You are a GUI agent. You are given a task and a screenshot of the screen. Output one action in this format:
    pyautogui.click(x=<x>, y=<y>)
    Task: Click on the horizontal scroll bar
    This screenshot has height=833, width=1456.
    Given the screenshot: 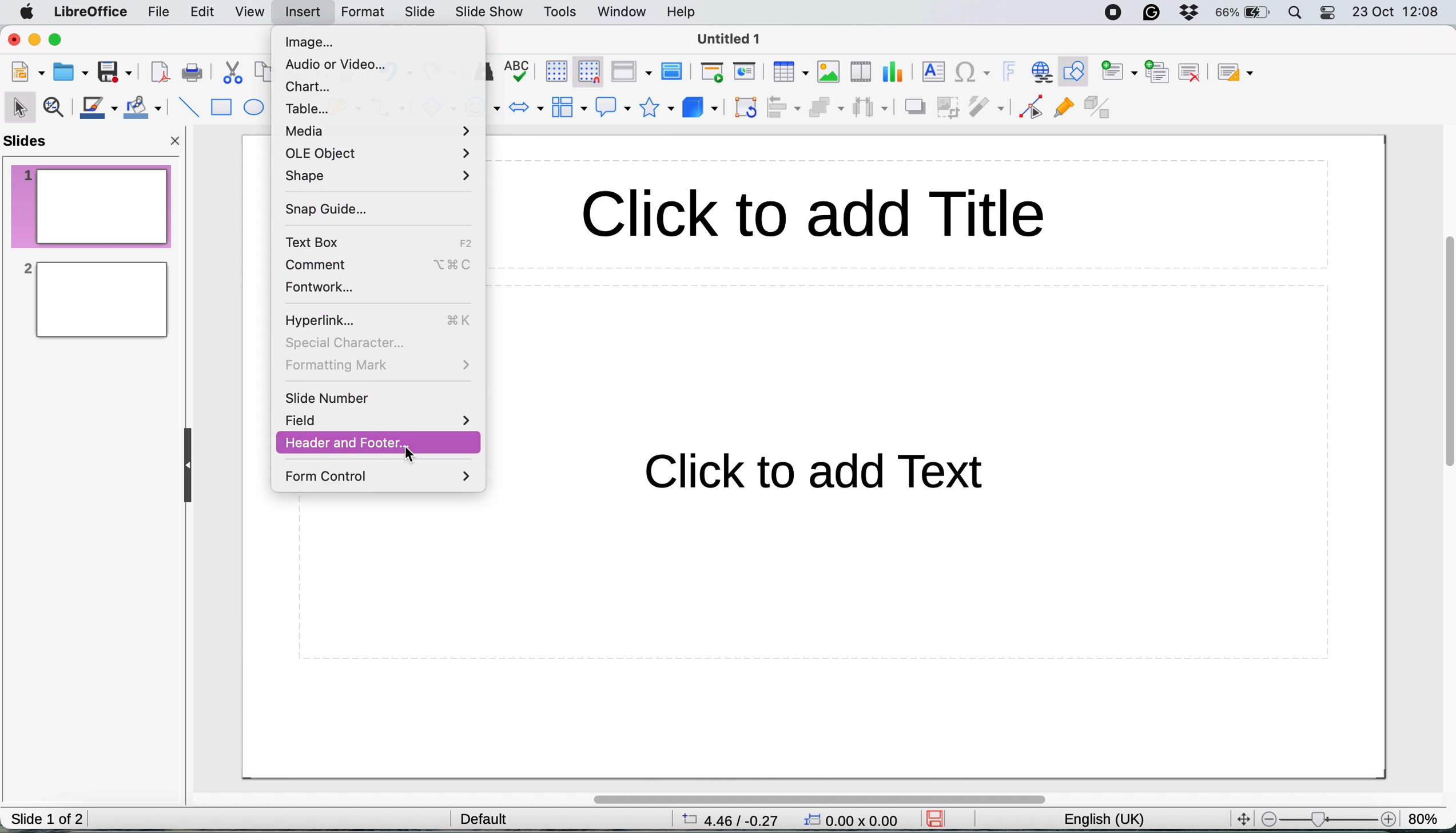 What is the action you would take?
    pyautogui.click(x=818, y=799)
    